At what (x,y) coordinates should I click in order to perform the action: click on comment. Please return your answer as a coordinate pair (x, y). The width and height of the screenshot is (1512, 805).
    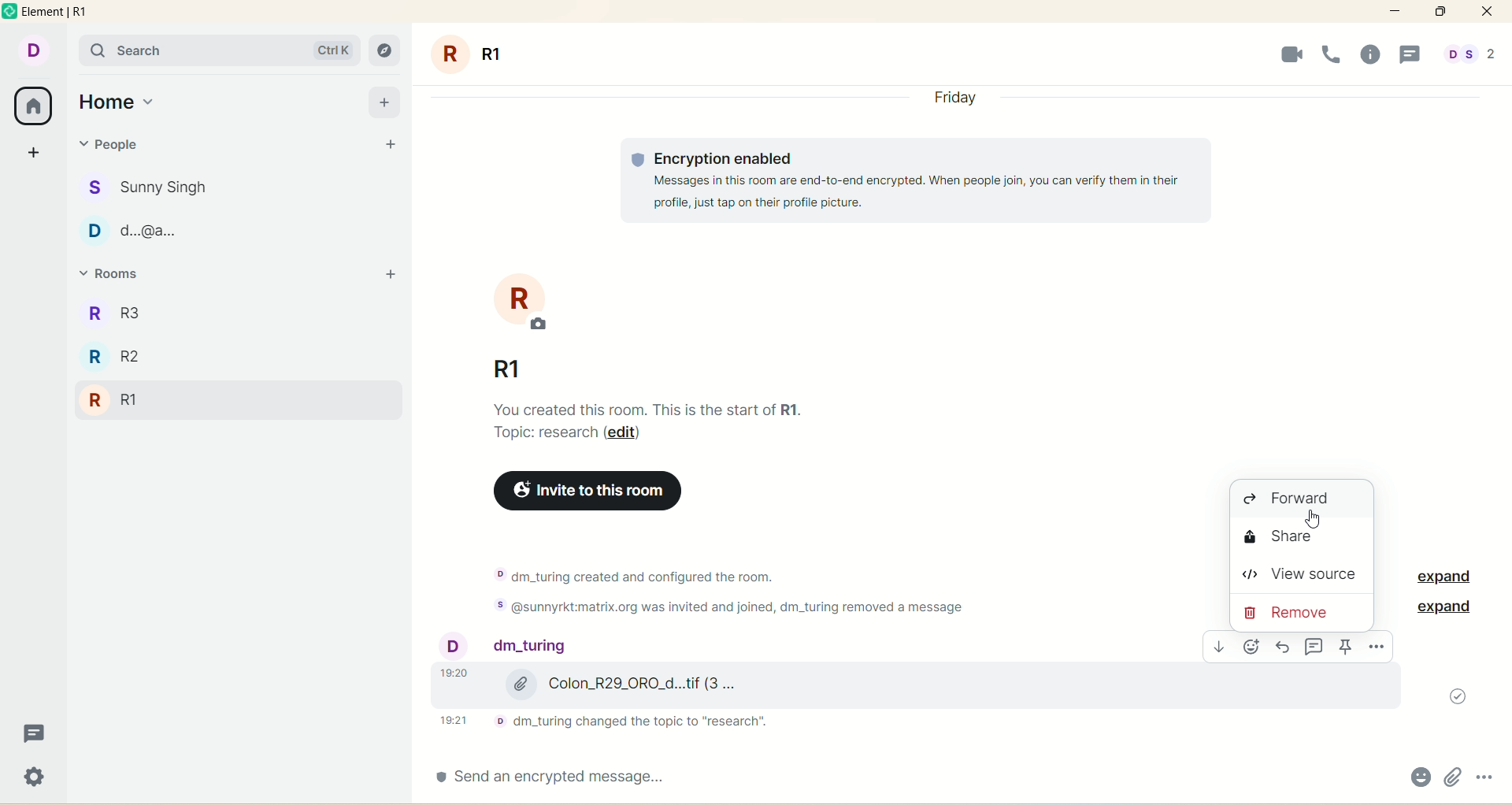
    Looking at the image, I should click on (1318, 647).